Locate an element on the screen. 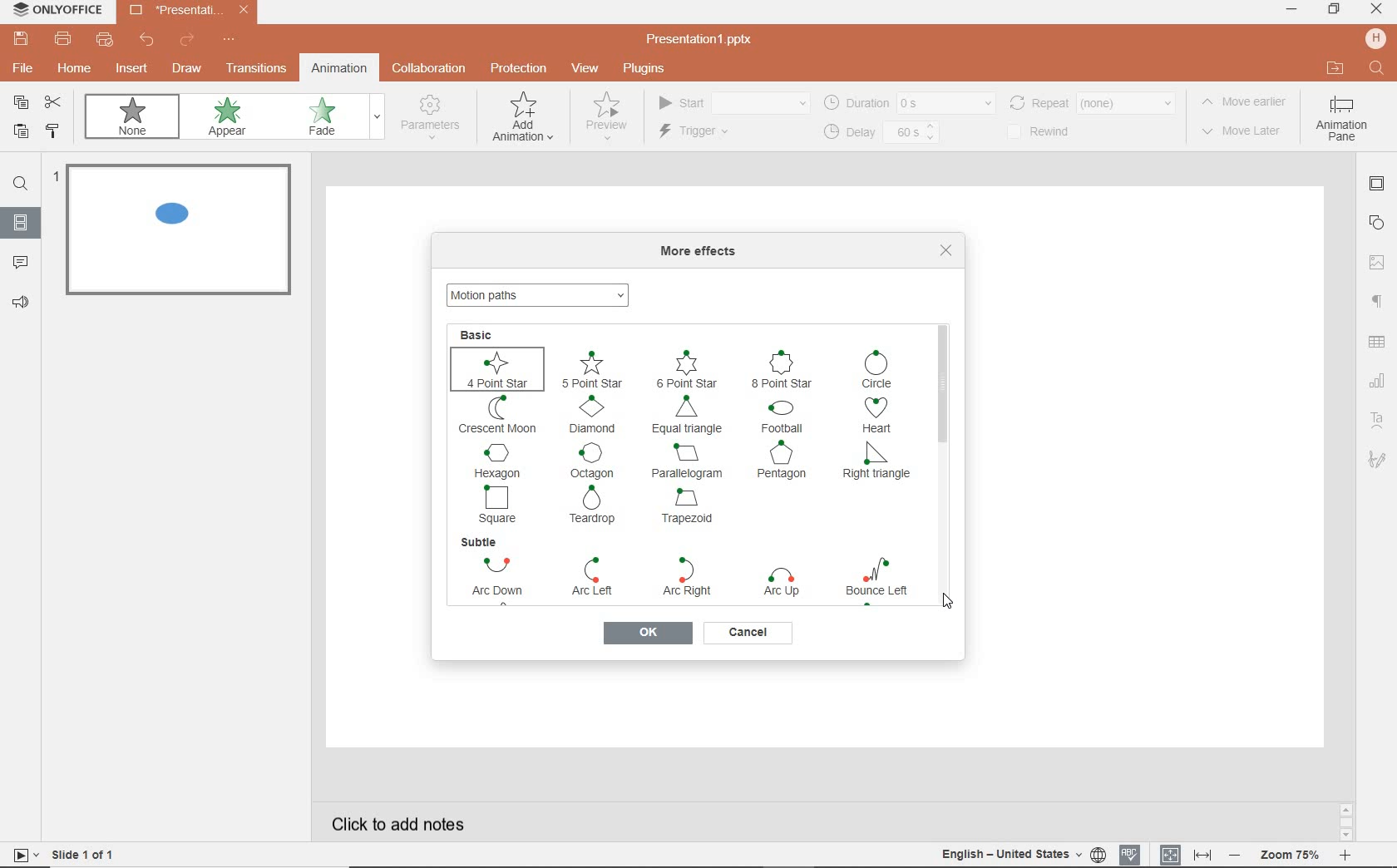 The width and height of the screenshot is (1397, 868). appear is located at coordinates (230, 119).